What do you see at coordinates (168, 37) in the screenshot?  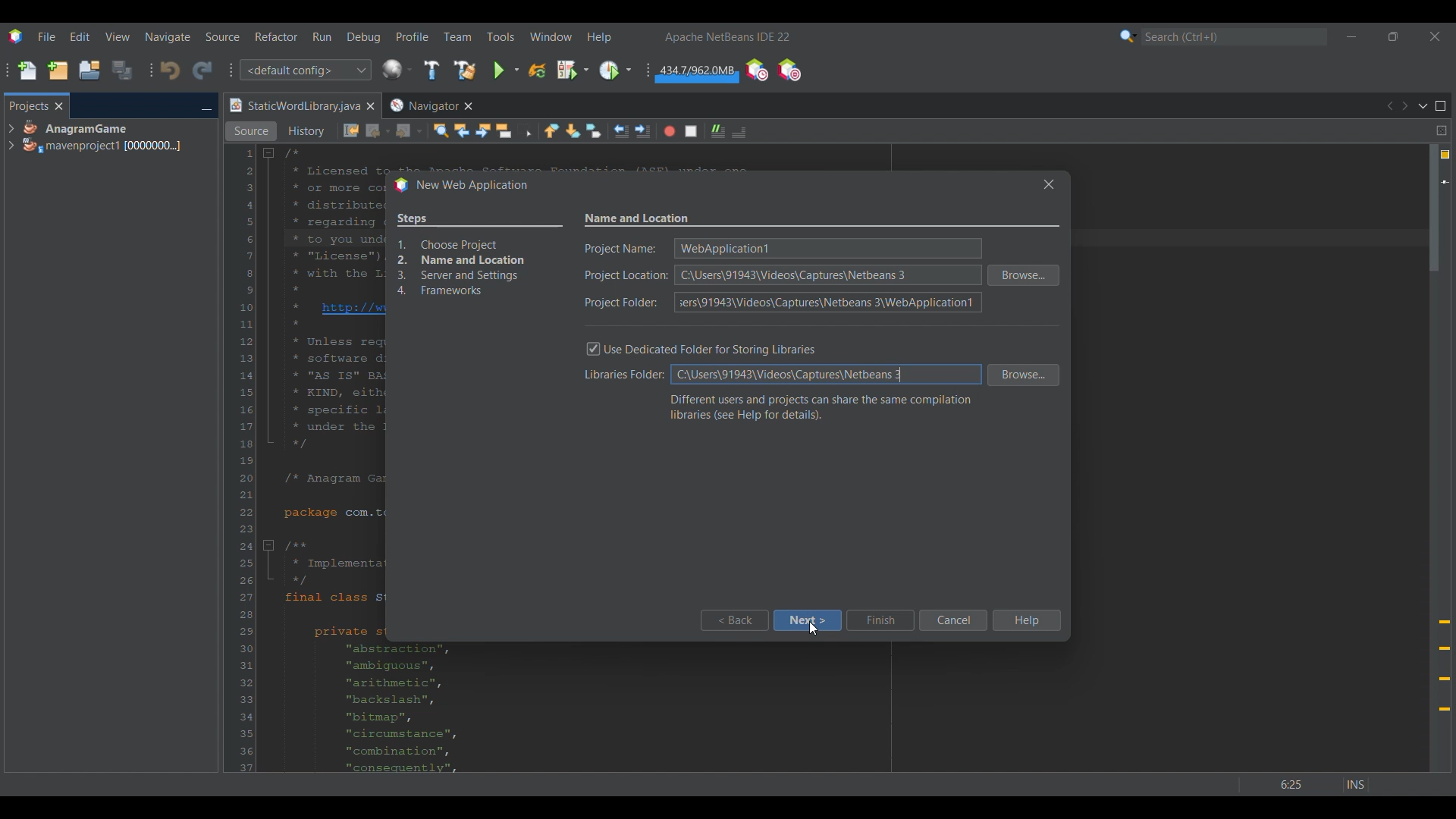 I see `Naviagate menu` at bounding box center [168, 37].